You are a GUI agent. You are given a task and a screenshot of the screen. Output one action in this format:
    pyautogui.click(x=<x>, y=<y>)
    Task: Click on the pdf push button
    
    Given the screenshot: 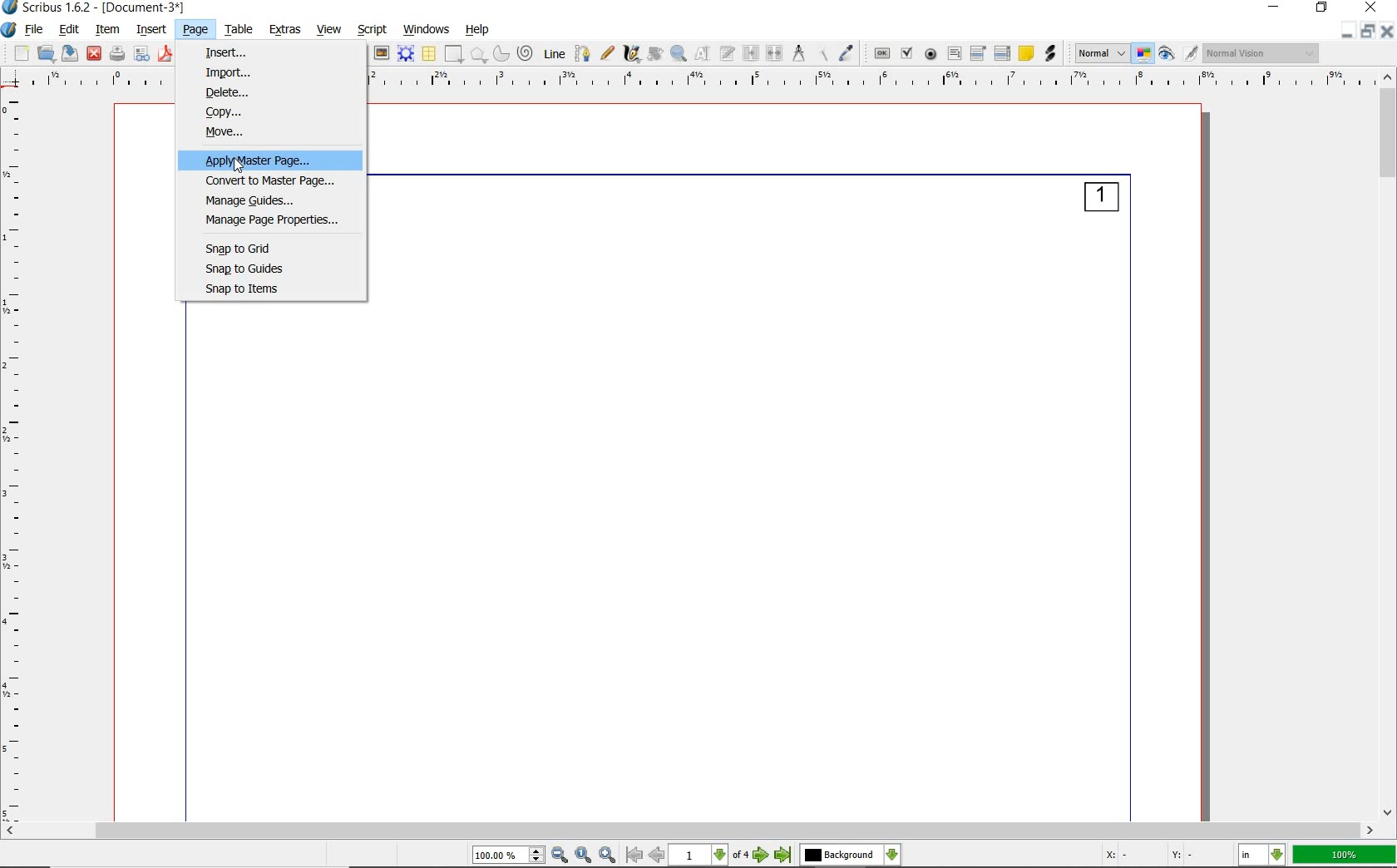 What is the action you would take?
    pyautogui.click(x=881, y=52)
    